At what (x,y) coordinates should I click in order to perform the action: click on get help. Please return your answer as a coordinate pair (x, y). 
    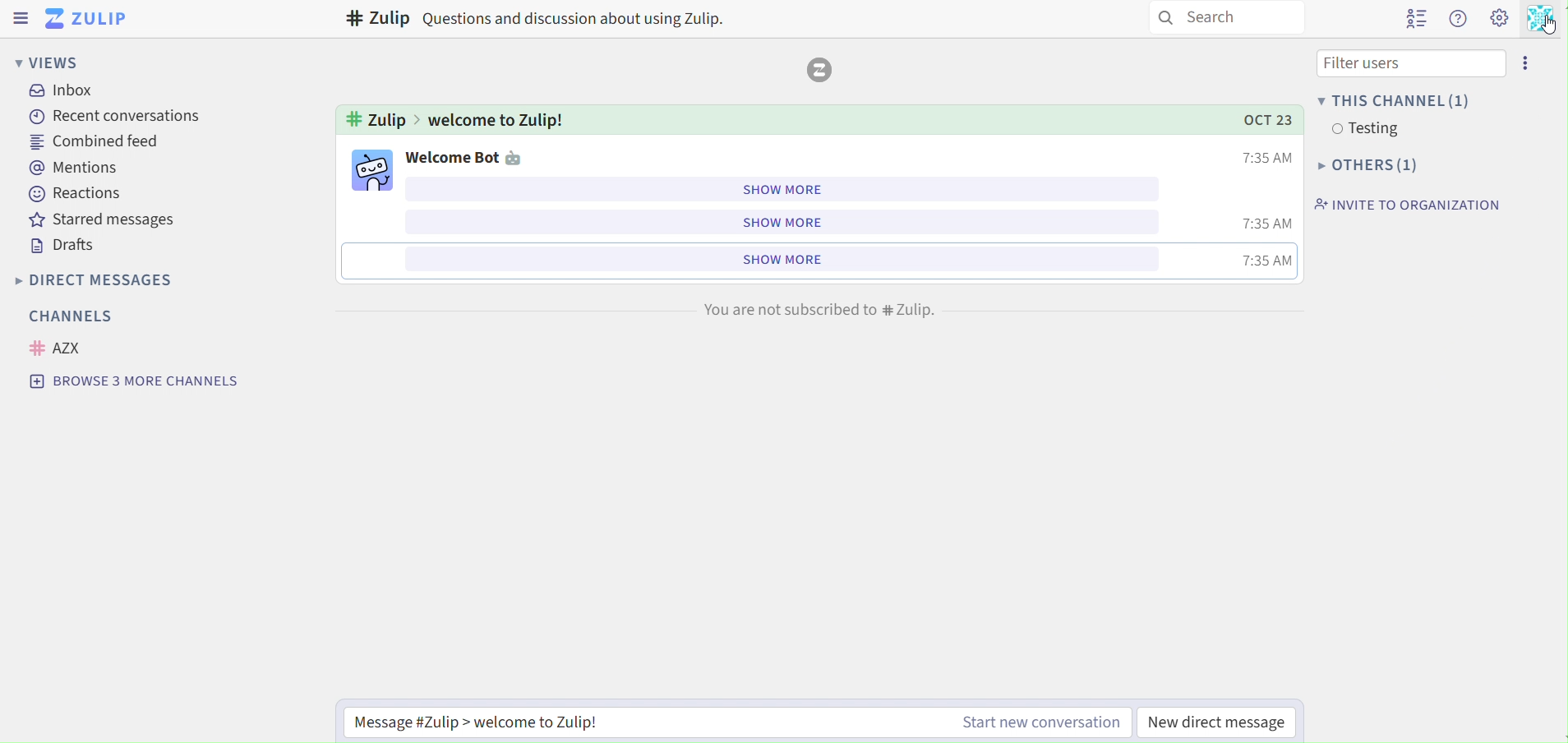
    Looking at the image, I should click on (1459, 21).